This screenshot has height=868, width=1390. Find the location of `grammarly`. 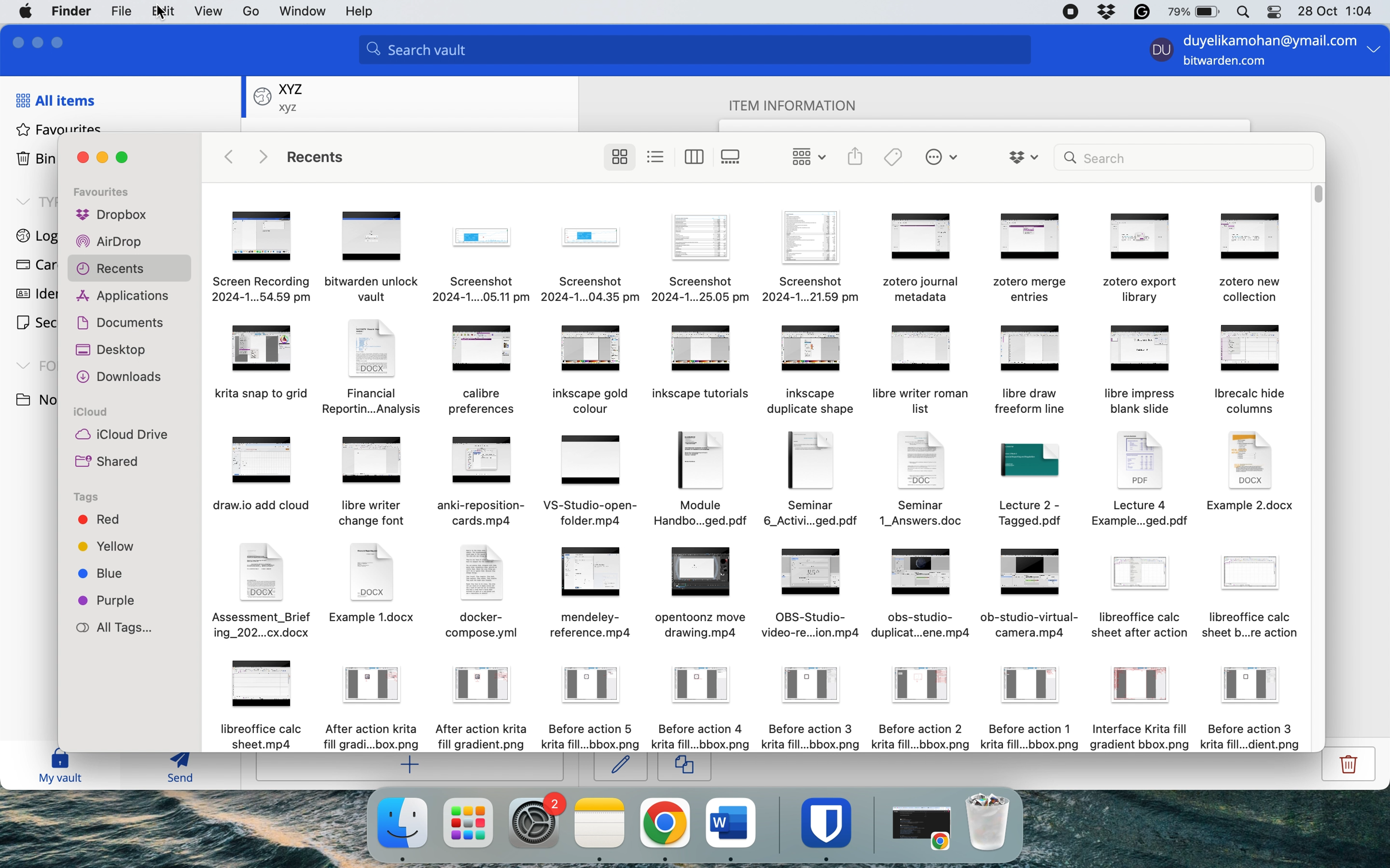

grammarly is located at coordinates (1140, 12).